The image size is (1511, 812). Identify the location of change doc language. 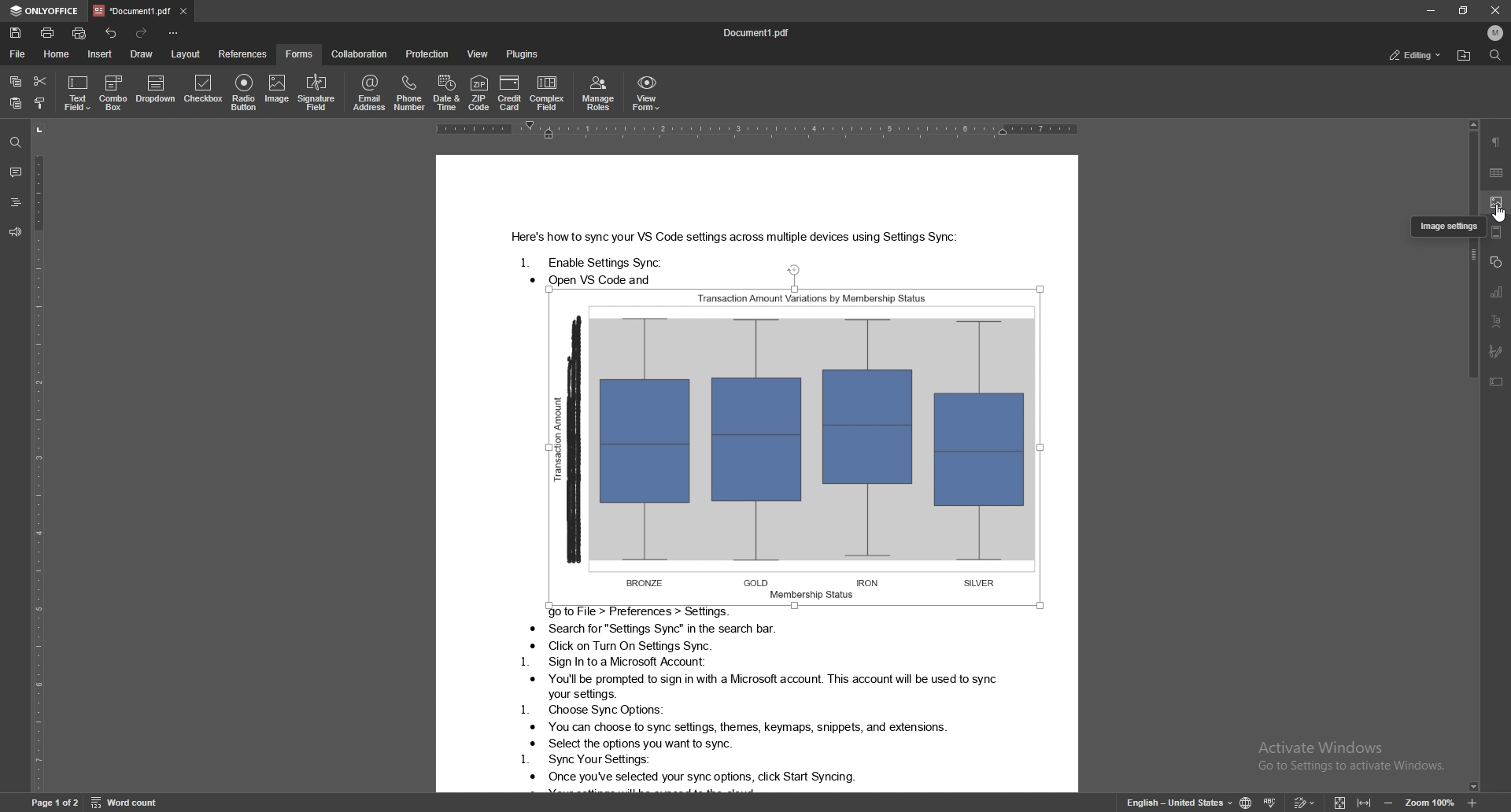
(1247, 802).